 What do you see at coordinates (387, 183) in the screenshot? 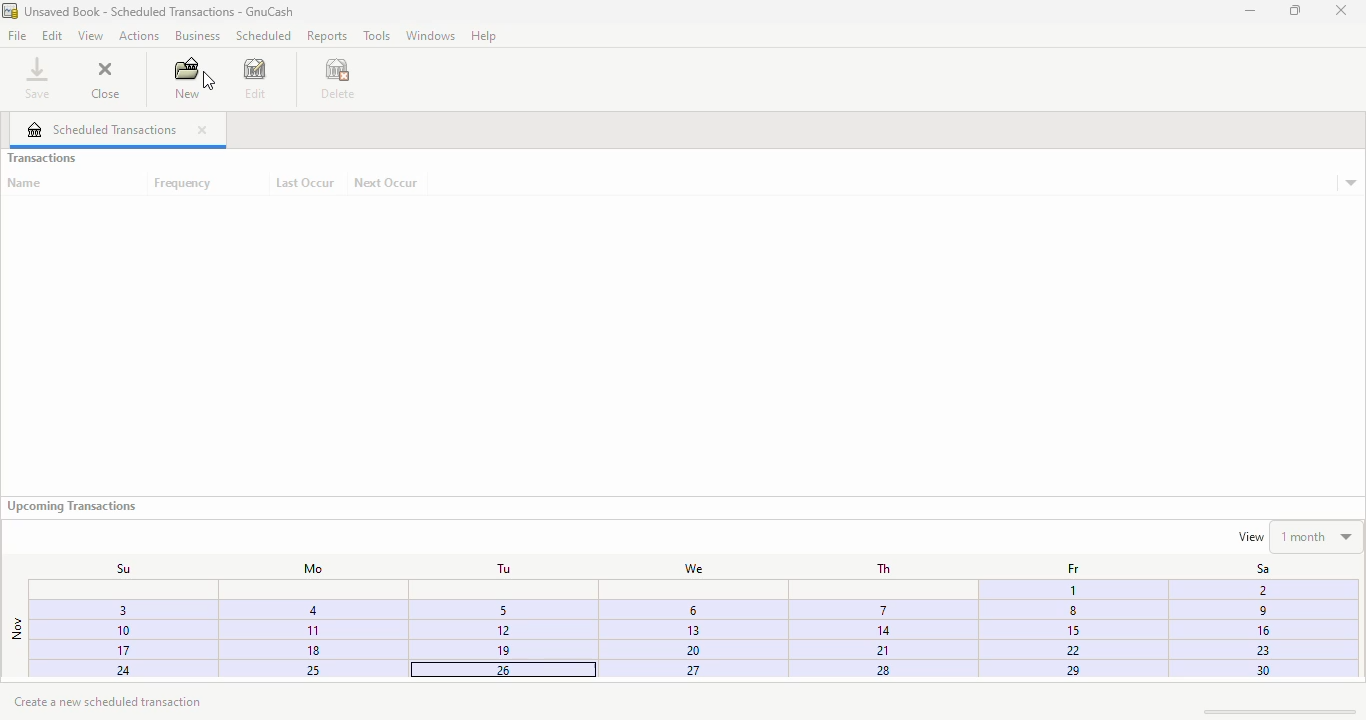
I see `next occur` at bounding box center [387, 183].